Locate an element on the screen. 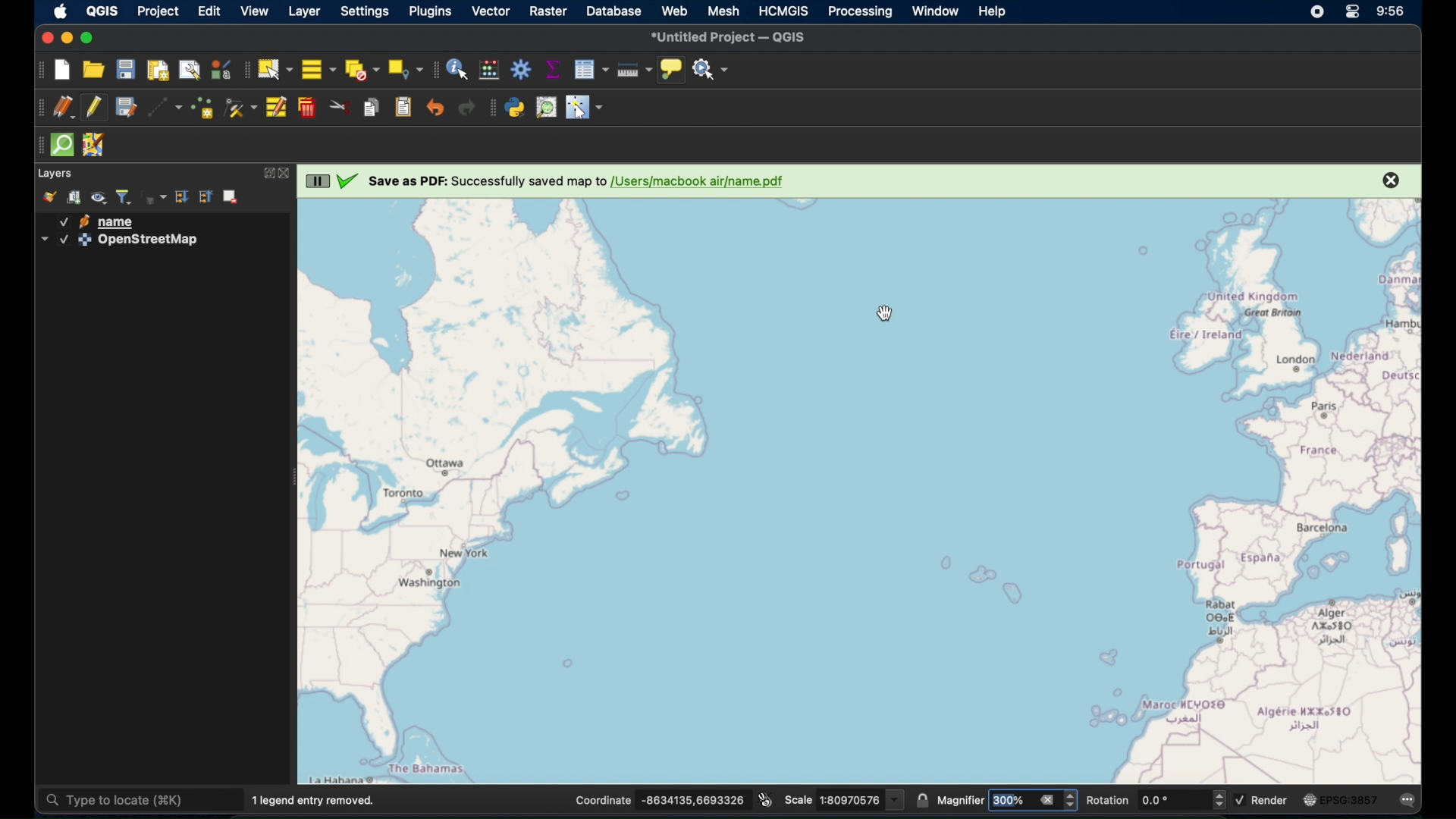  close is located at coordinates (46, 38).